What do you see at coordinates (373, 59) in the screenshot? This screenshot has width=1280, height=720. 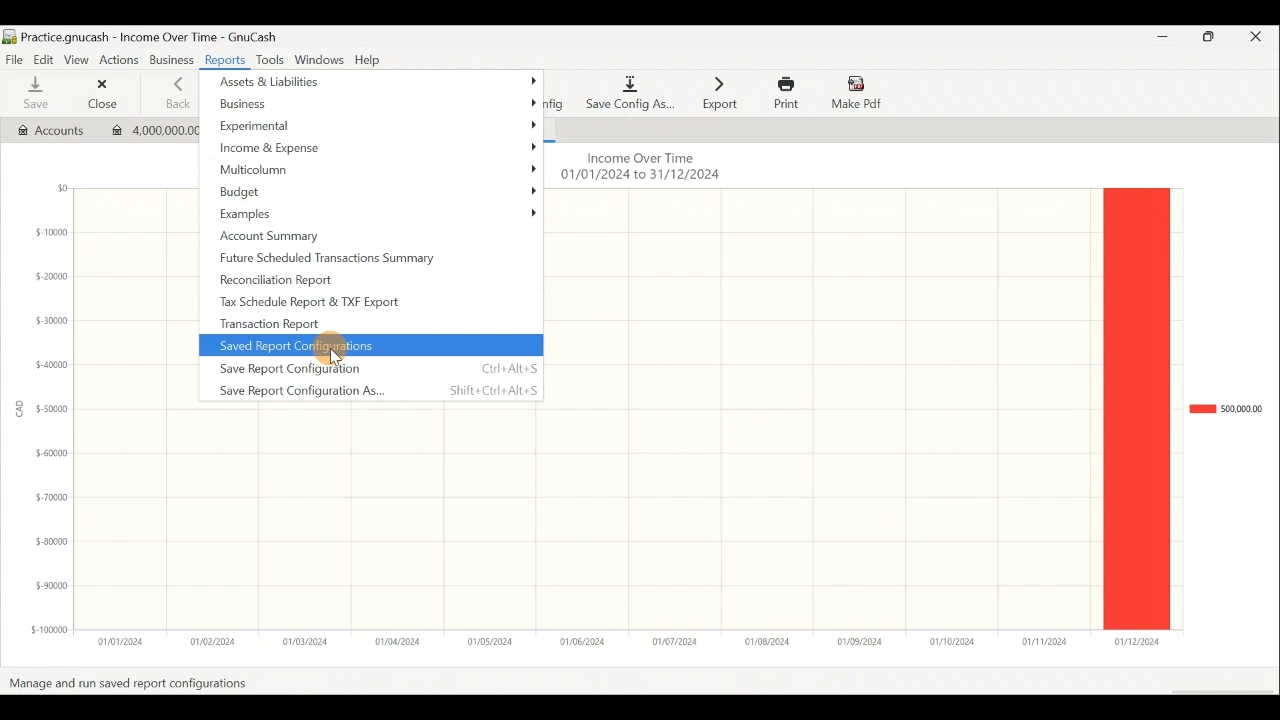 I see `Help` at bounding box center [373, 59].